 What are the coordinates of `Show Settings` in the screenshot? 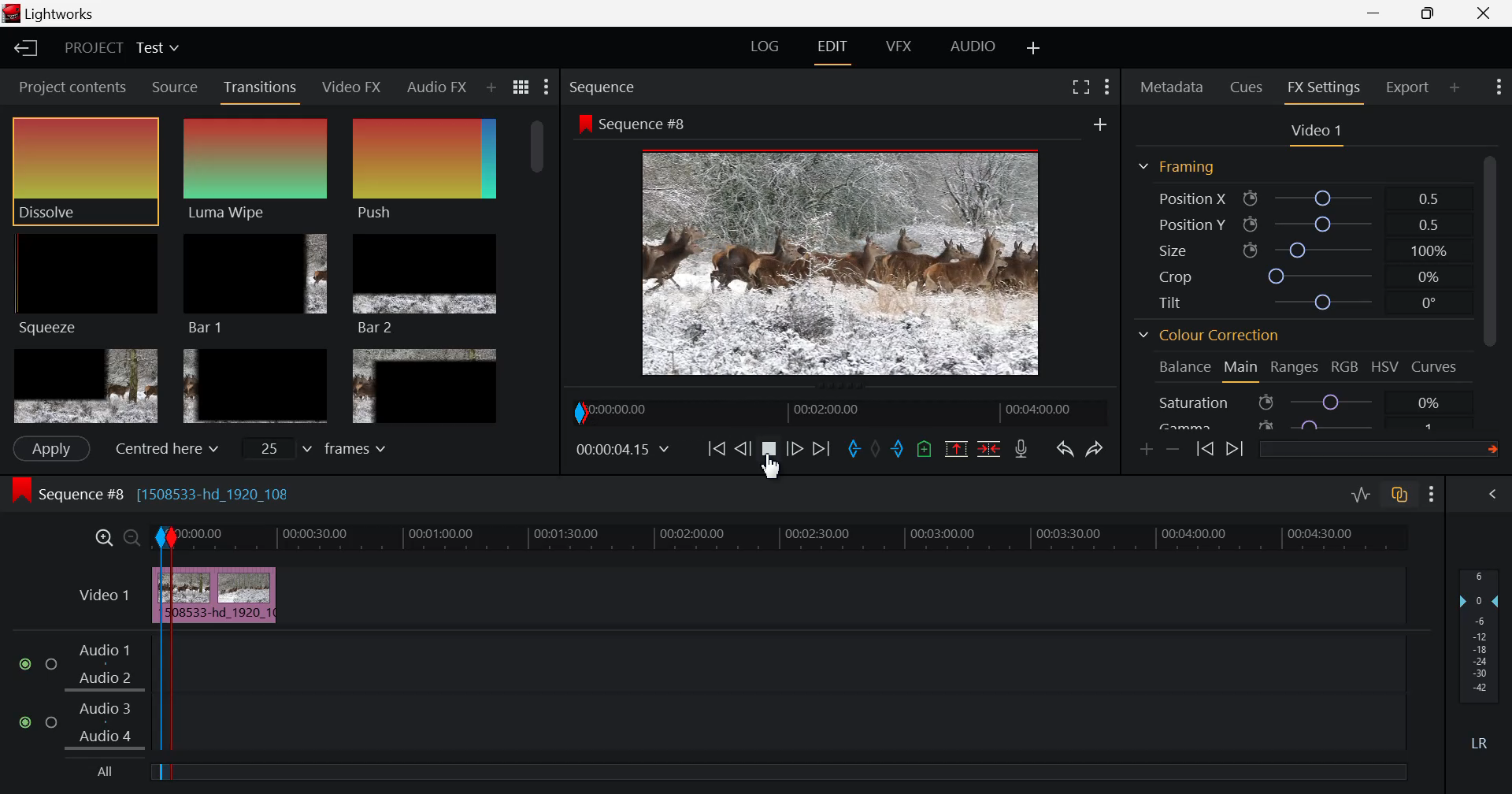 It's located at (1497, 87).